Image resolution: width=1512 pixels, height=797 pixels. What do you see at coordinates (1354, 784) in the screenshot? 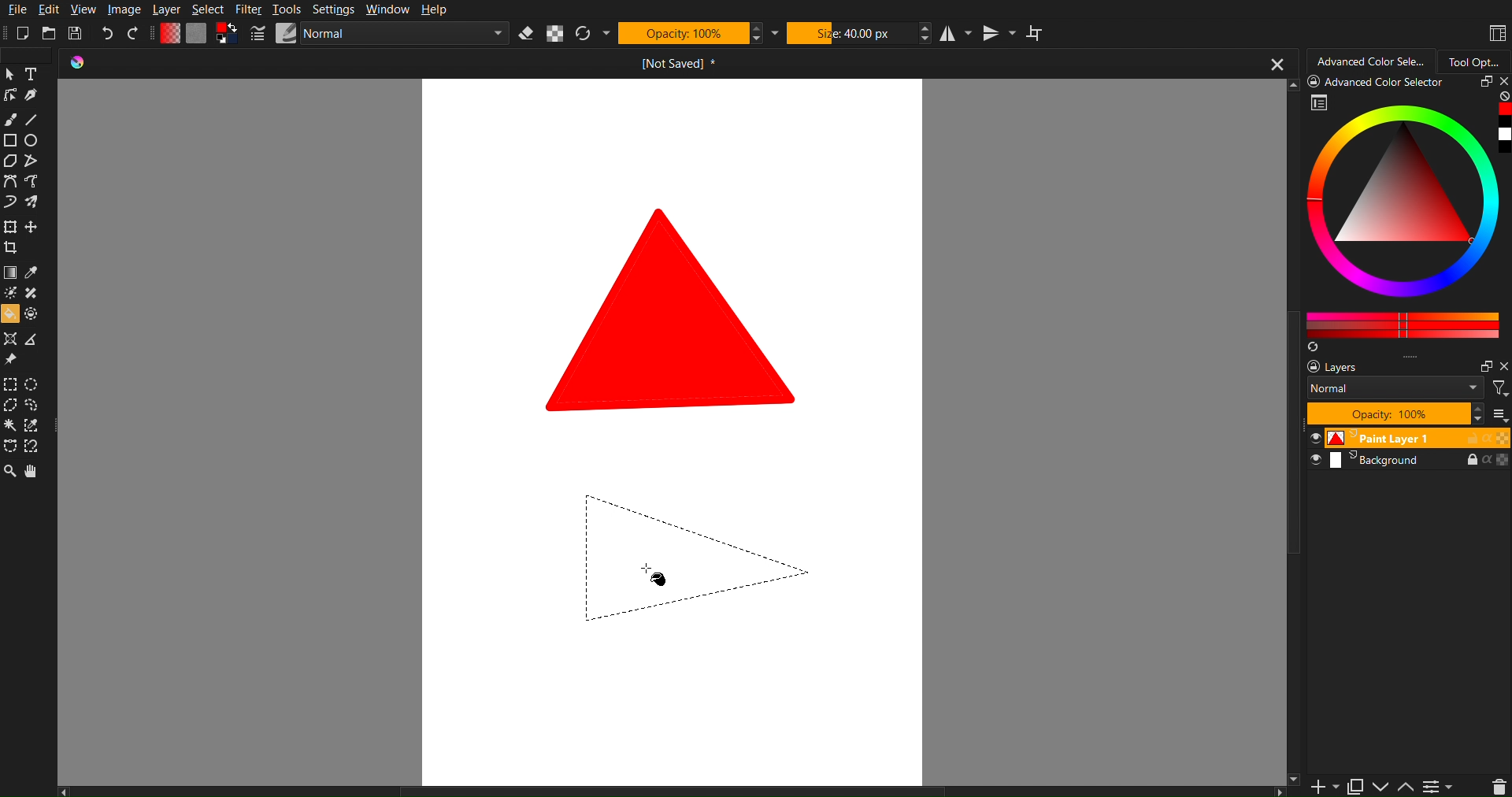
I see `Paste` at bounding box center [1354, 784].